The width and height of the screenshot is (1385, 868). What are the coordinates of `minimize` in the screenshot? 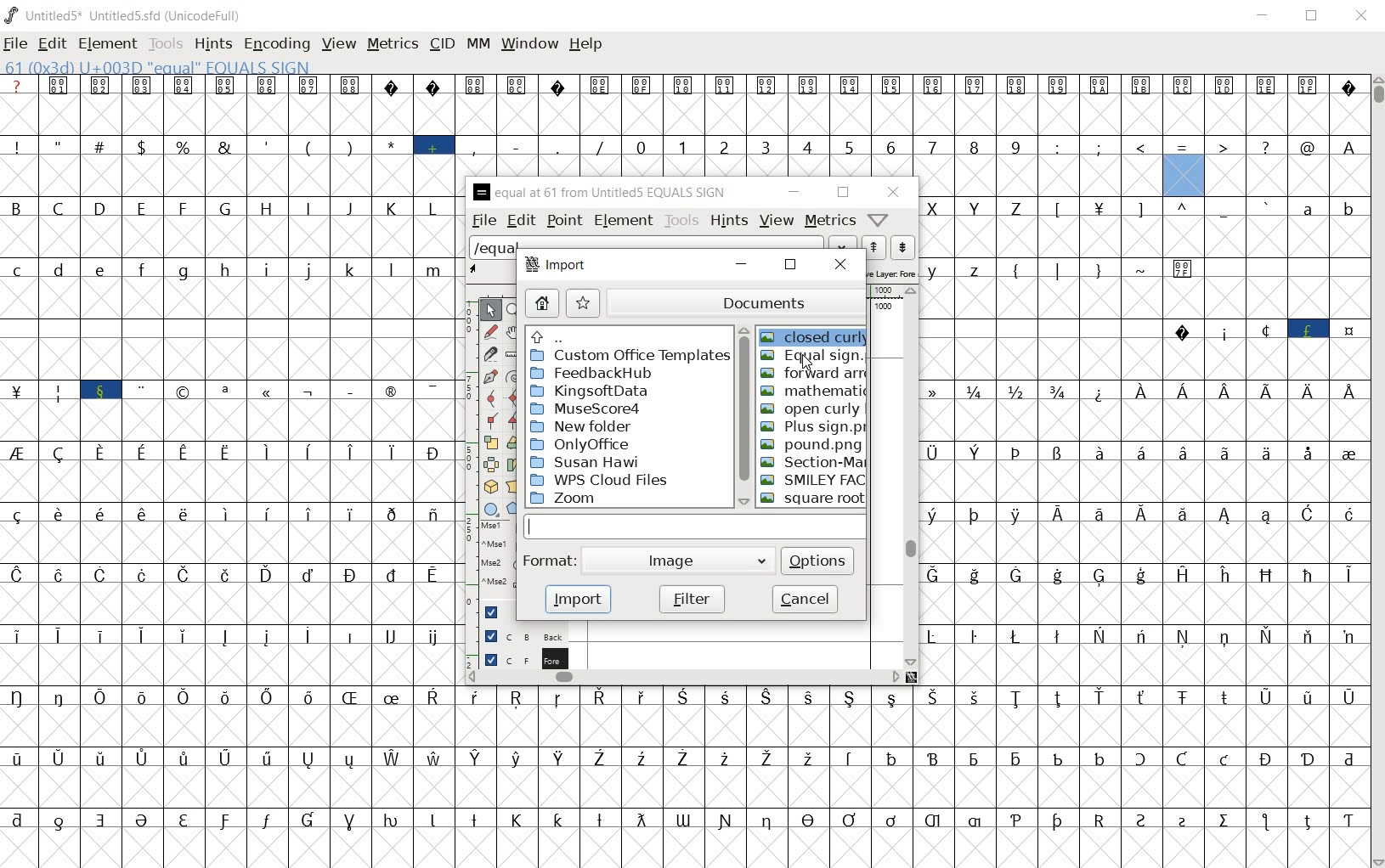 It's located at (1263, 15).